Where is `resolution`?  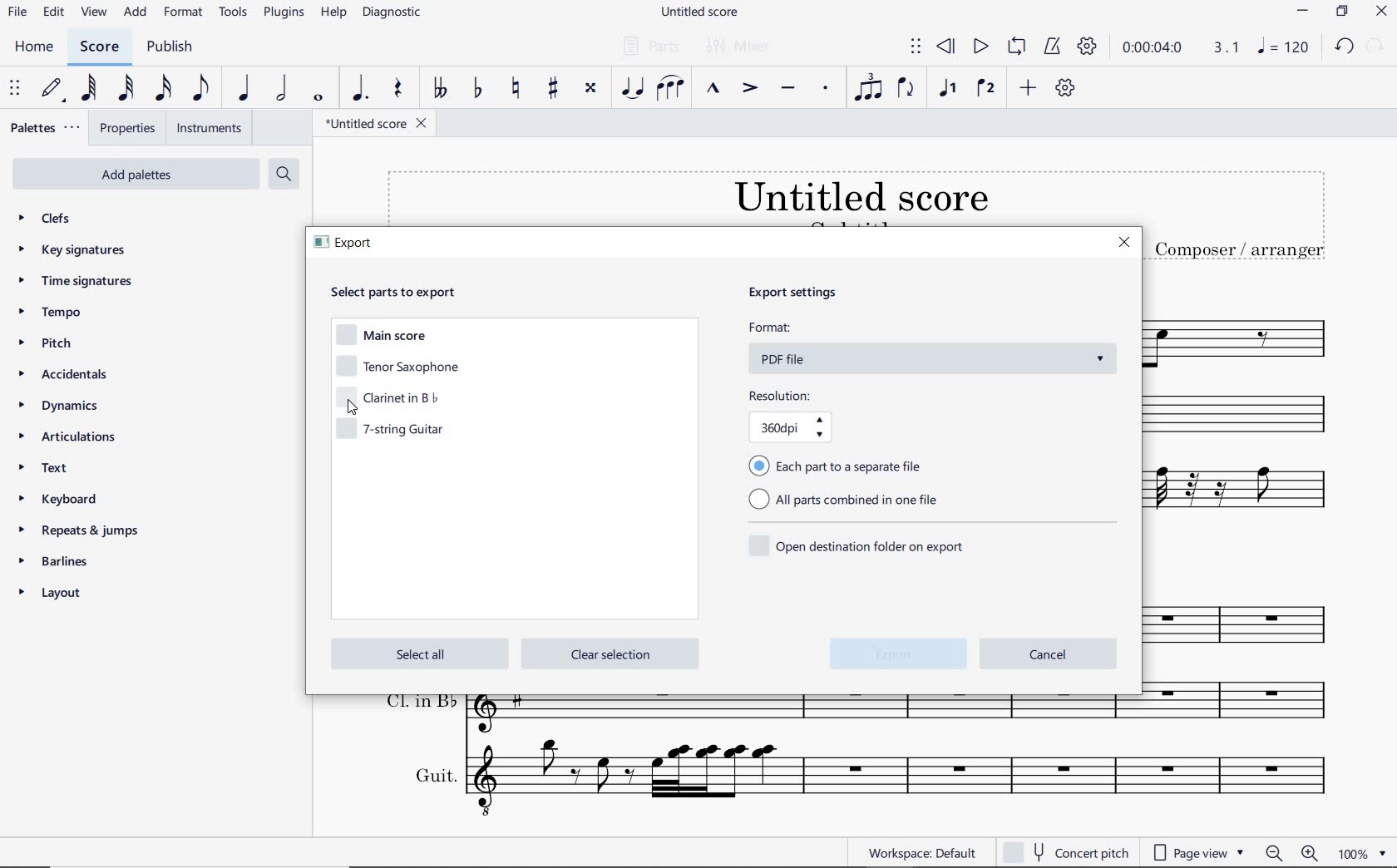 resolution is located at coordinates (818, 417).